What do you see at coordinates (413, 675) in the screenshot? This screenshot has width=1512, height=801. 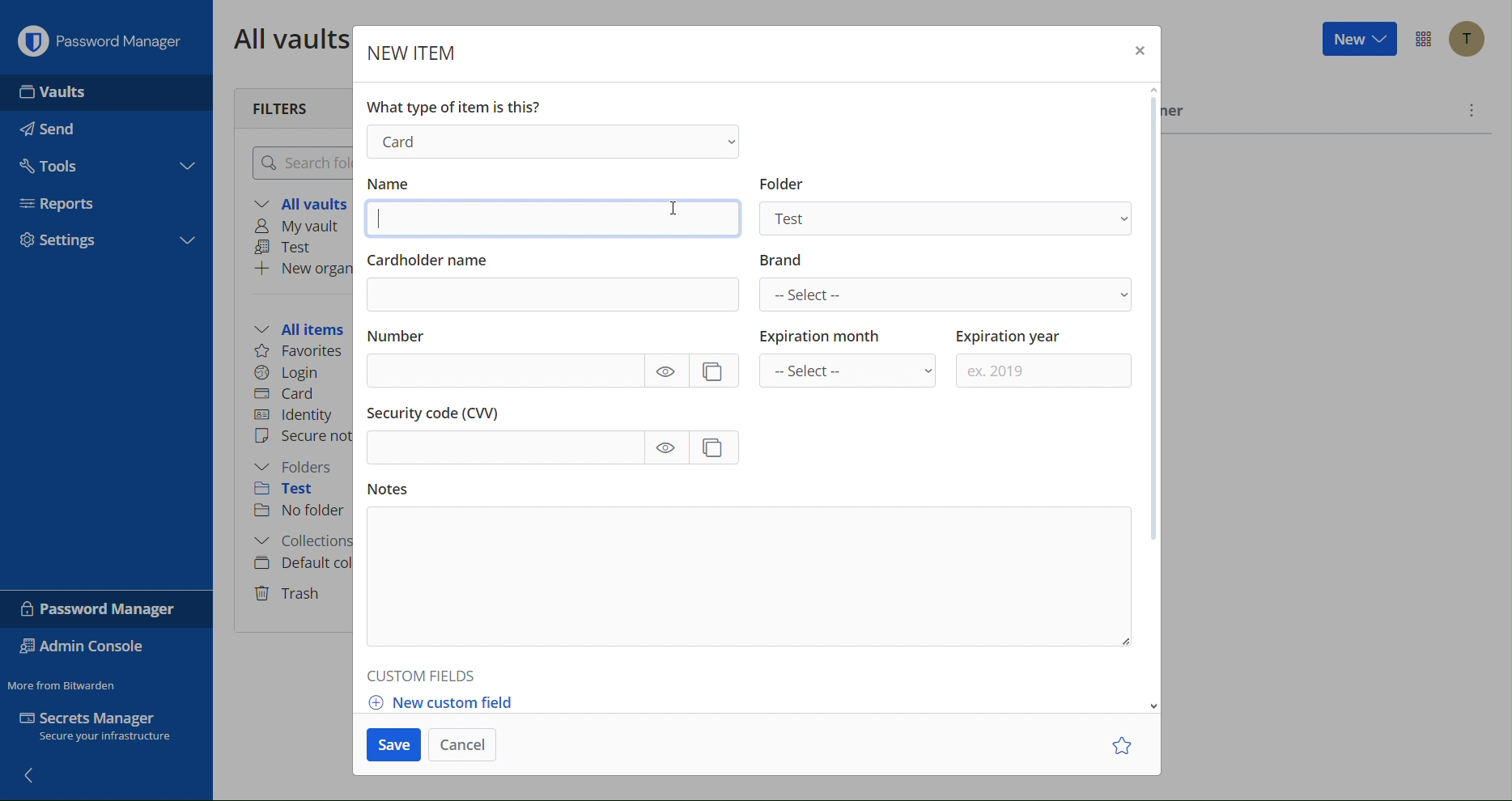 I see `Custom Fields` at bounding box center [413, 675].